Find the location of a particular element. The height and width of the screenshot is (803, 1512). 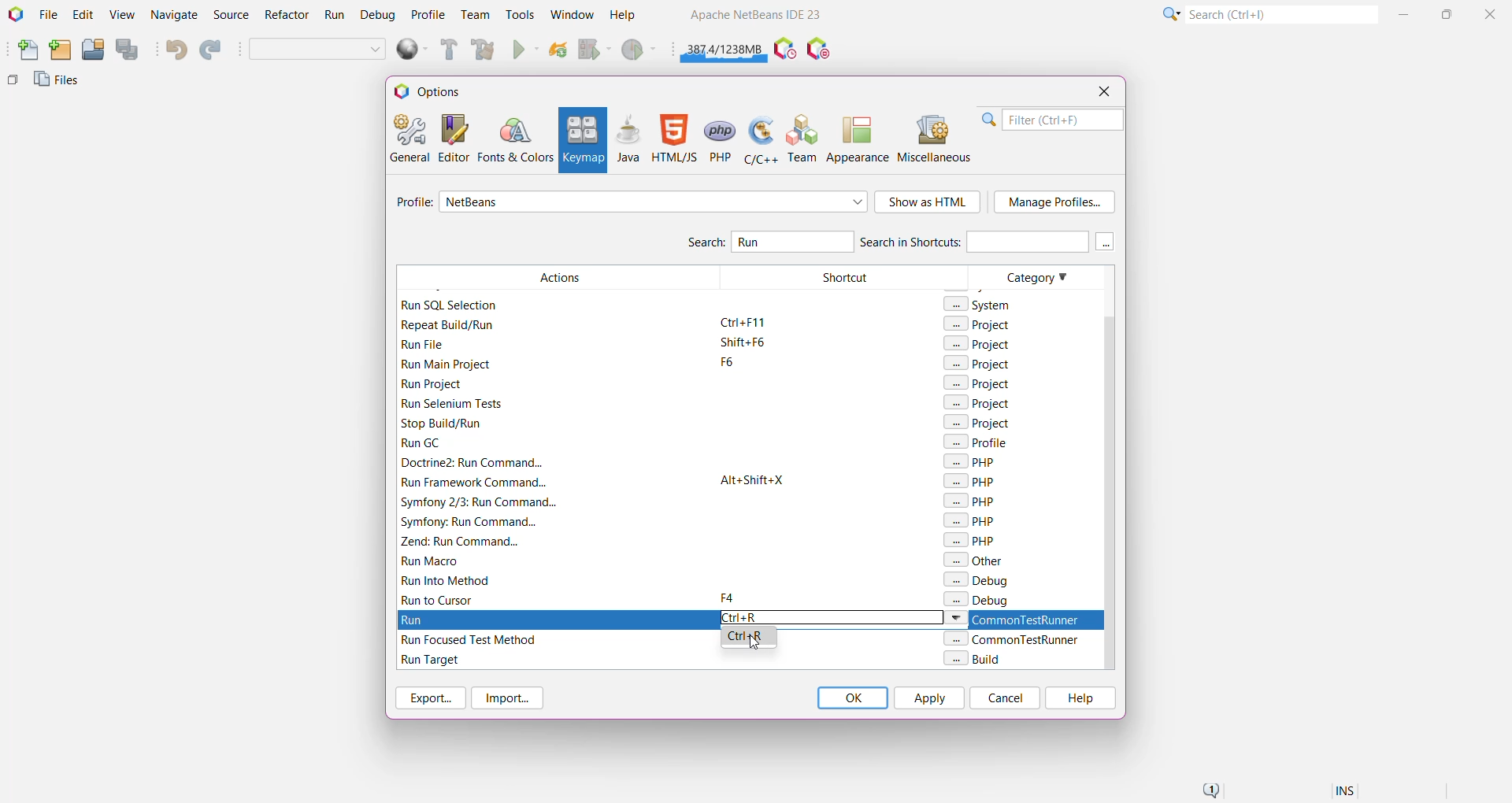

Debug  is located at coordinates (376, 16).